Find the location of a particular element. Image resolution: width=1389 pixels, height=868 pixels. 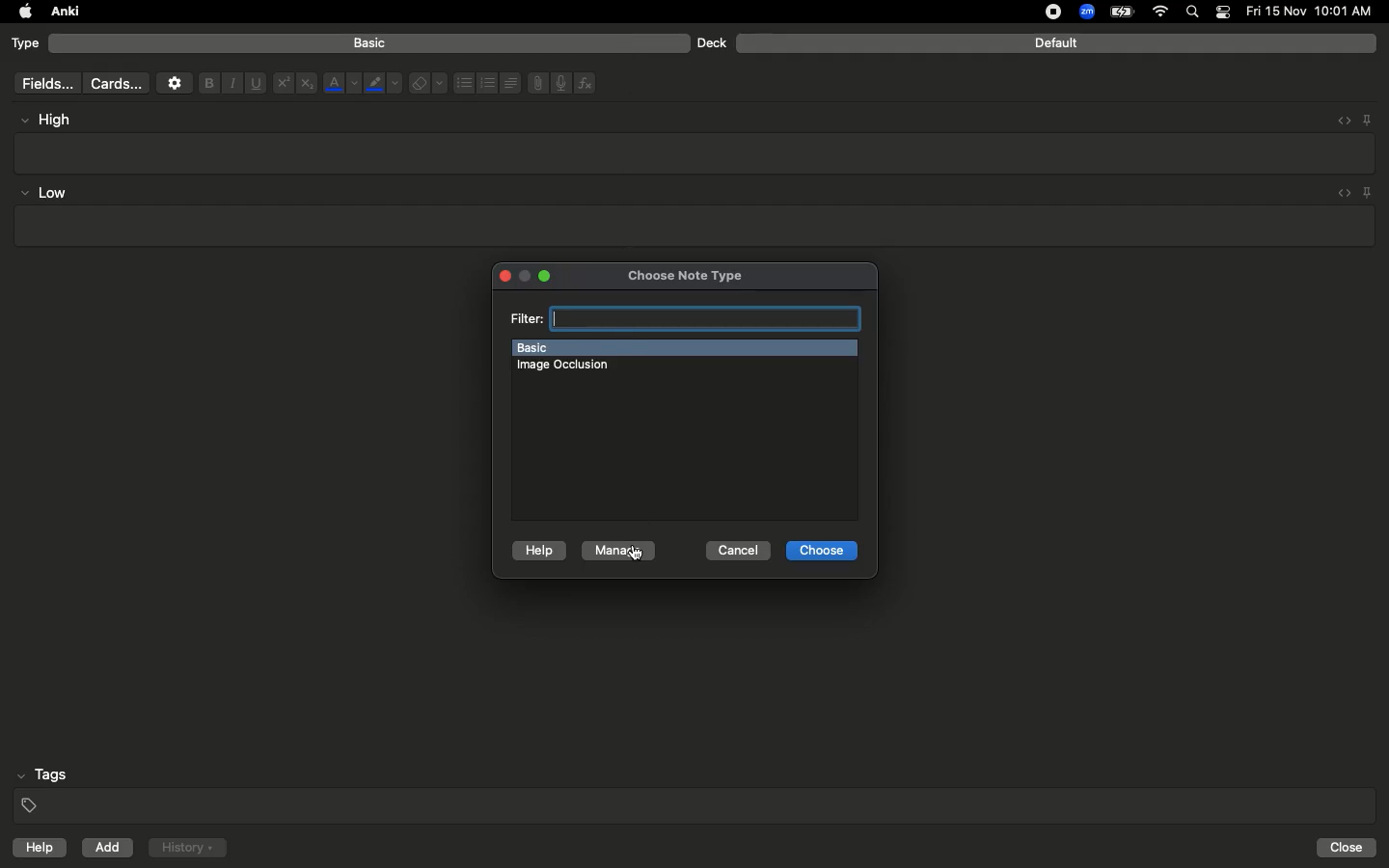

Alignment is located at coordinates (508, 81).